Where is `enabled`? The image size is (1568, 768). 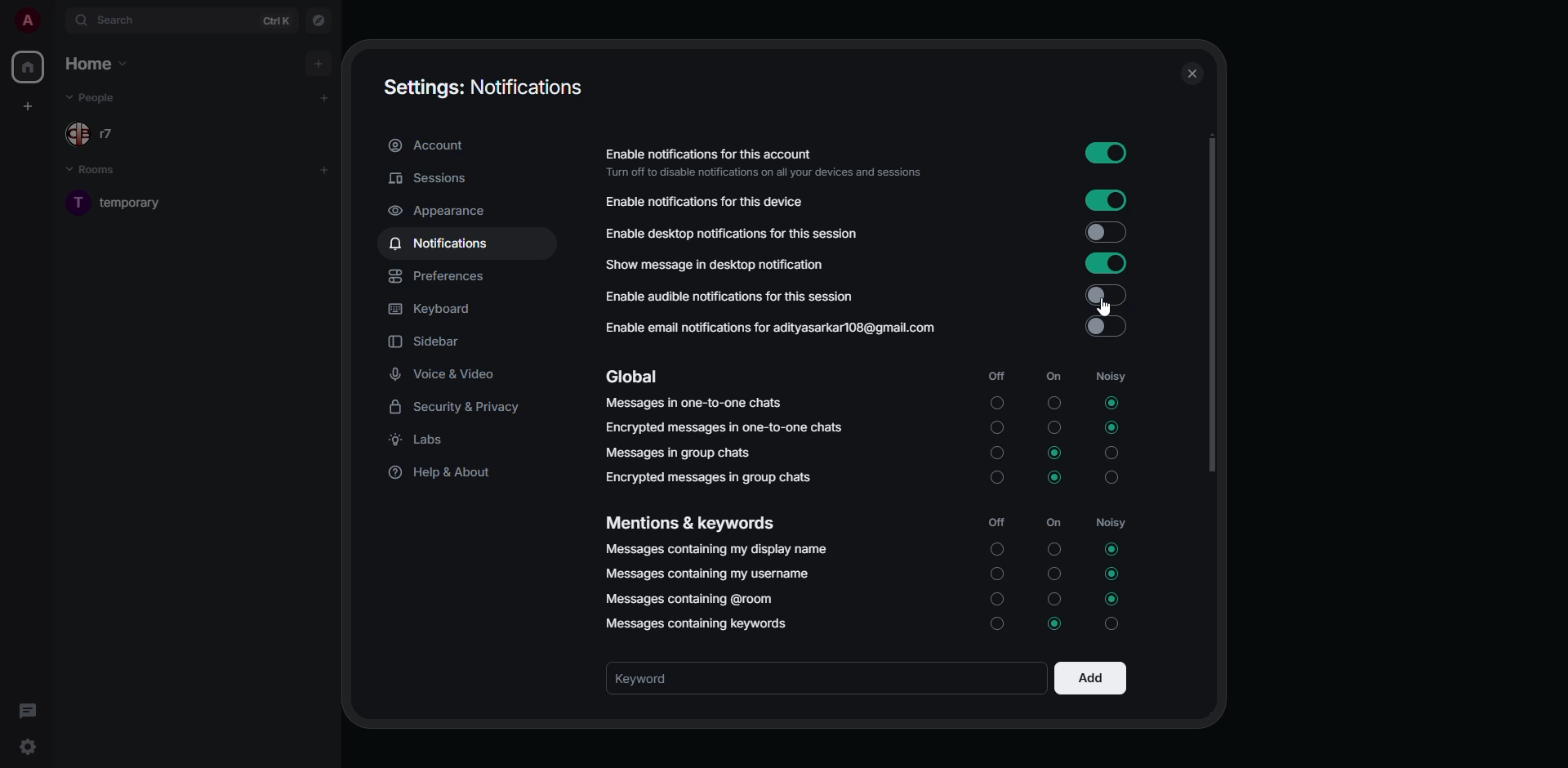
enabled is located at coordinates (1106, 263).